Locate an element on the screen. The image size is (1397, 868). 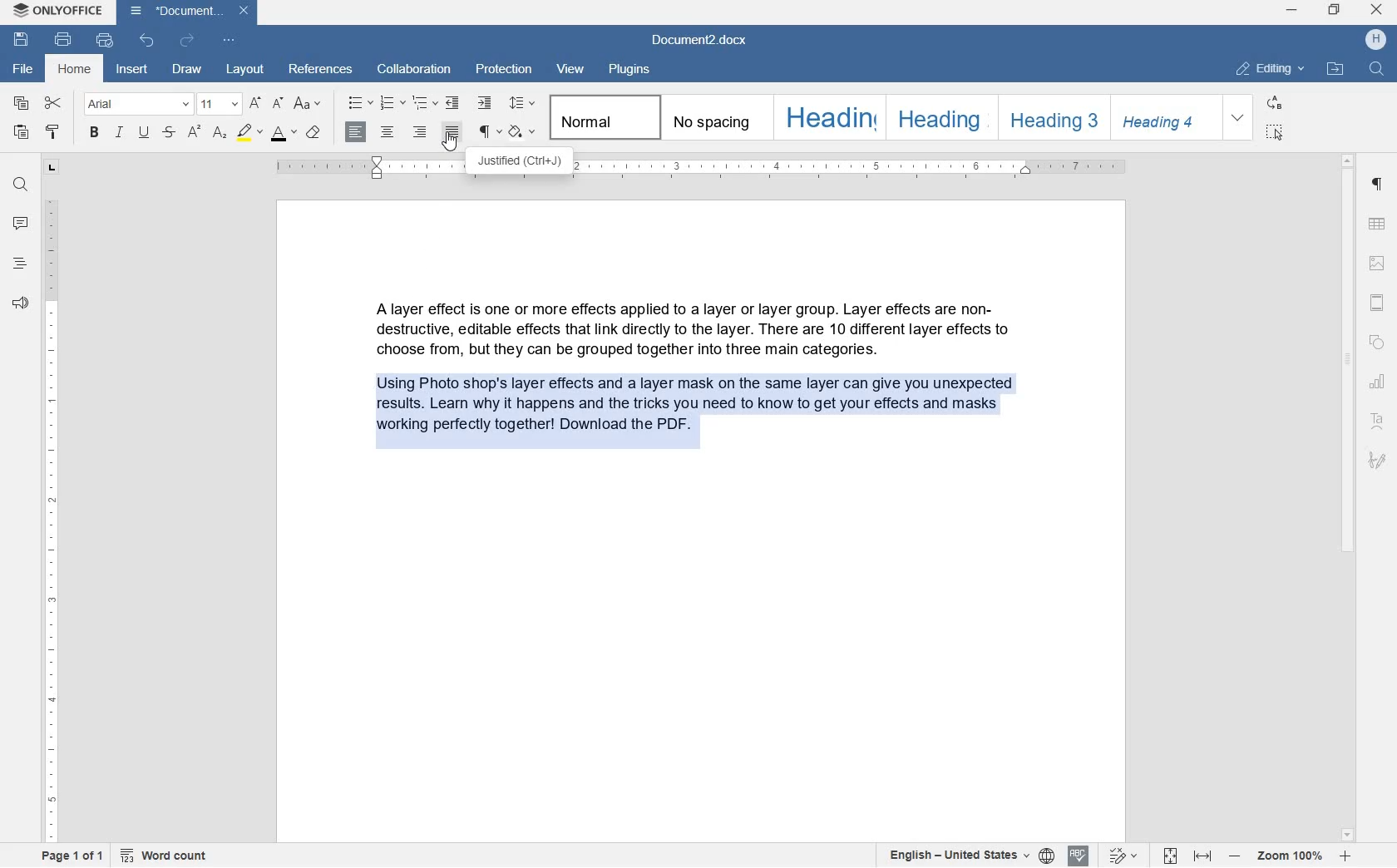
FONT SIZE is located at coordinates (218, 103).